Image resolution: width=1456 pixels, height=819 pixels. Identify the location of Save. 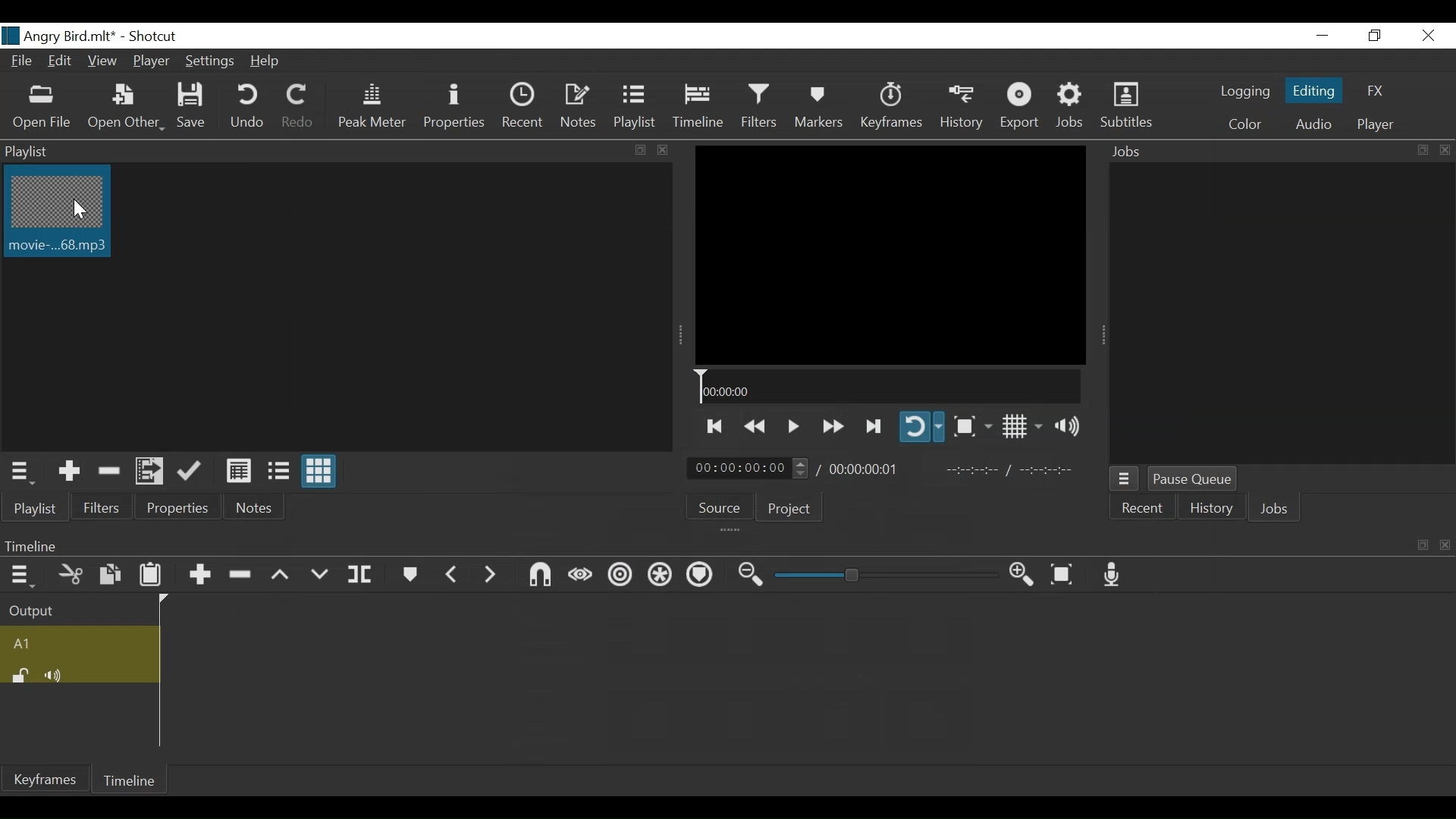
(194, 108).